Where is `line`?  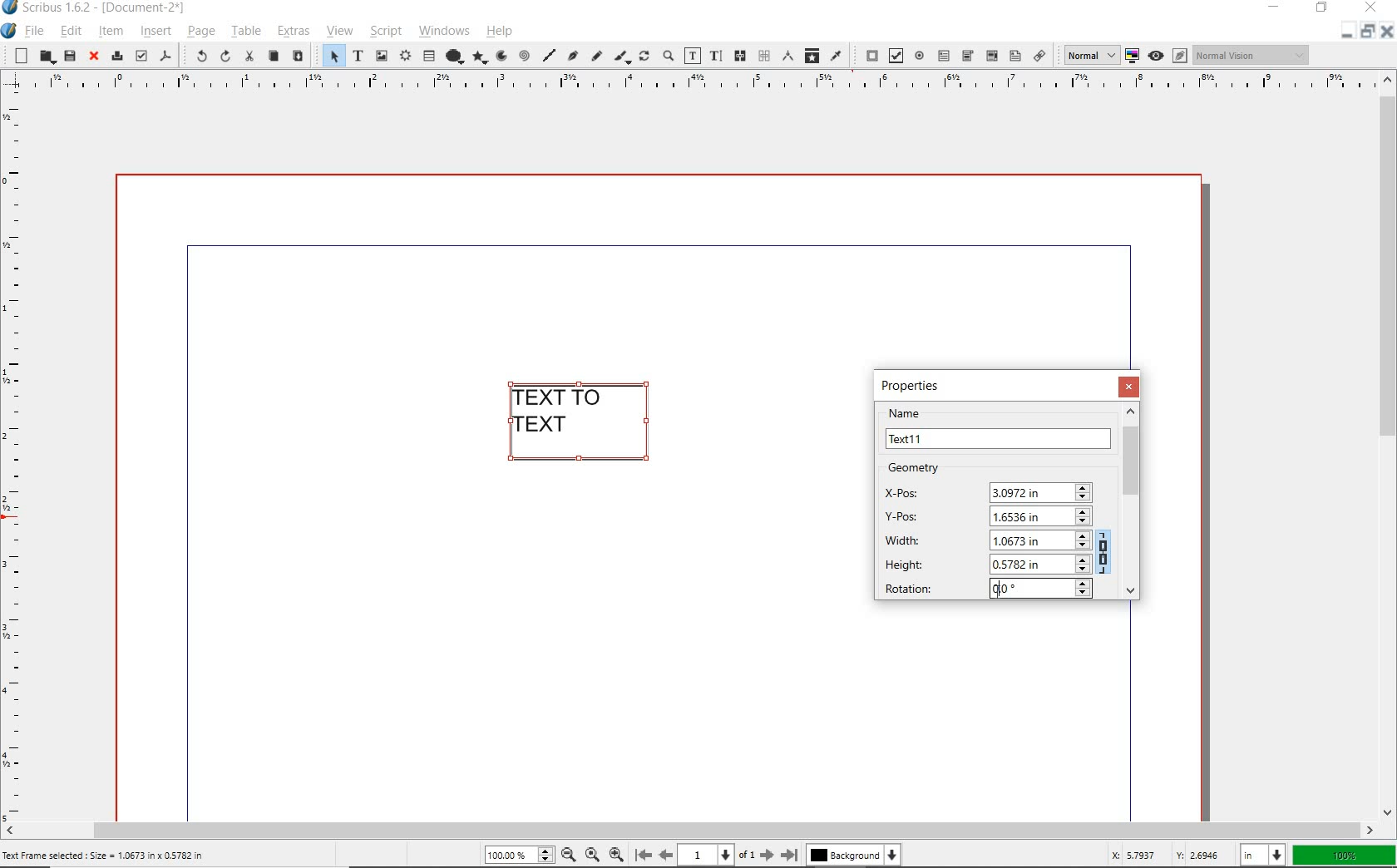
line is located at coordinates (548, 57).